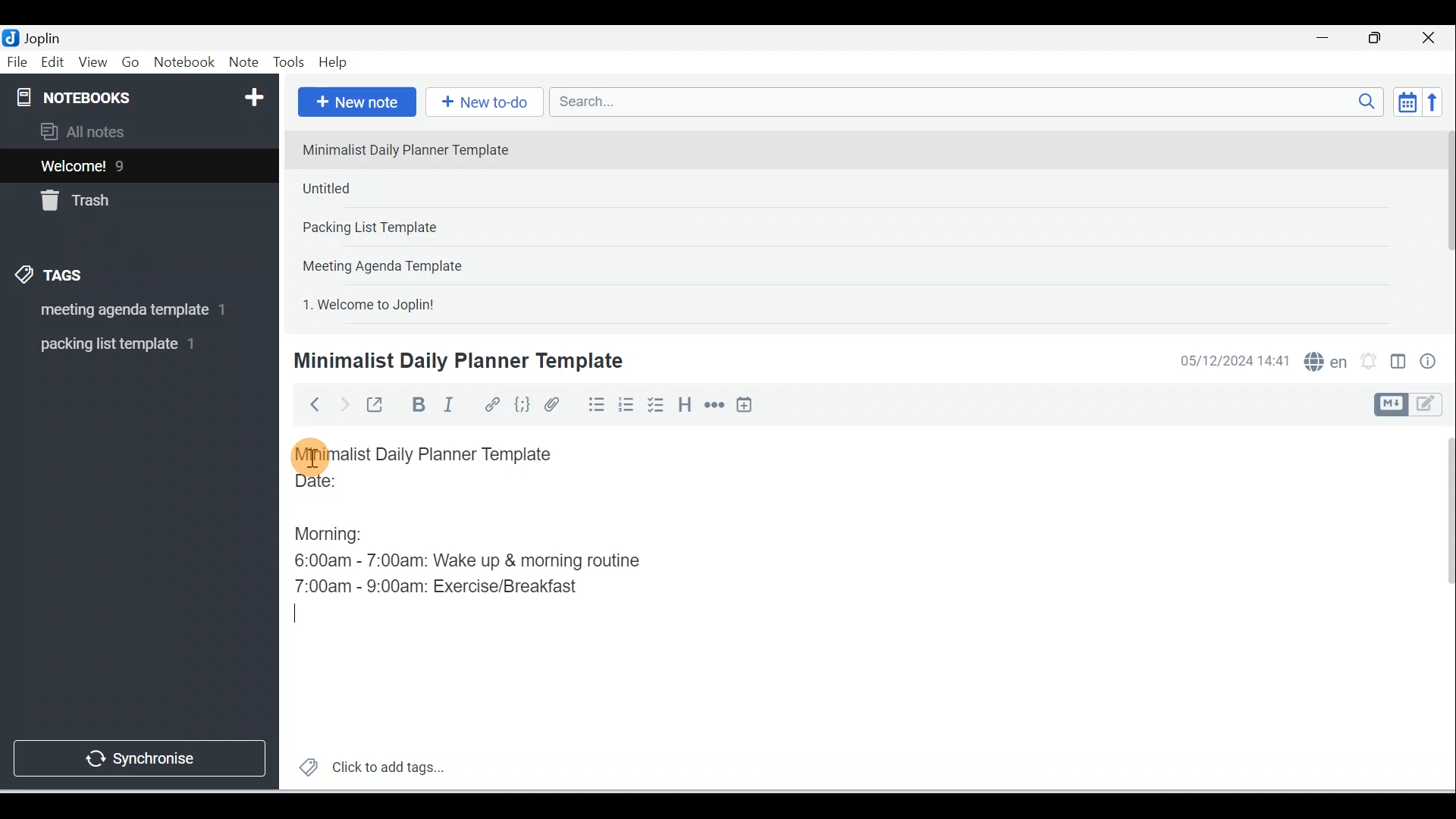  Describe the element at coordinates (971, 102) in the screenshot. I see `Search bar` at that location.